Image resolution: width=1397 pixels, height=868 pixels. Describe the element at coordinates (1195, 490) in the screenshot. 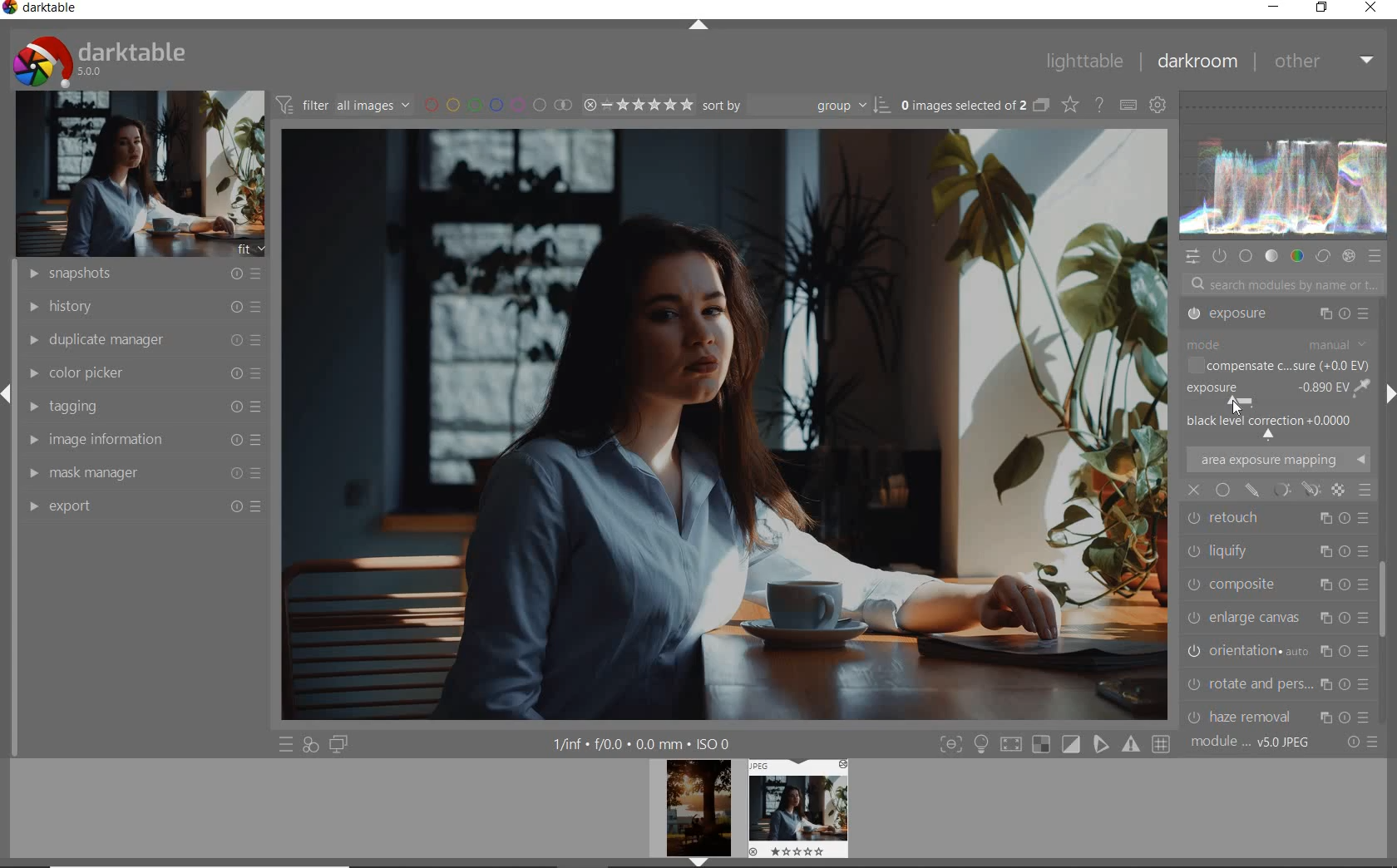

I see `close` at that location.